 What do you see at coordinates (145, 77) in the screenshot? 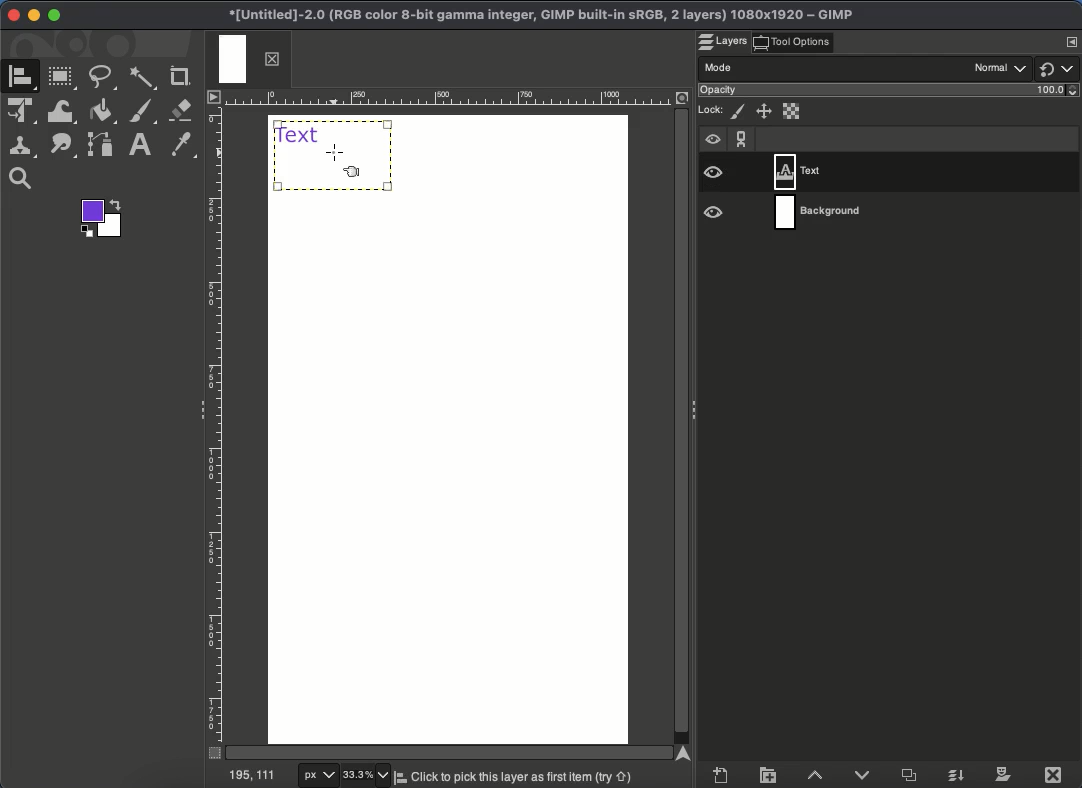
I see `Fuzzy select tool` at bounding box center [145, 77].